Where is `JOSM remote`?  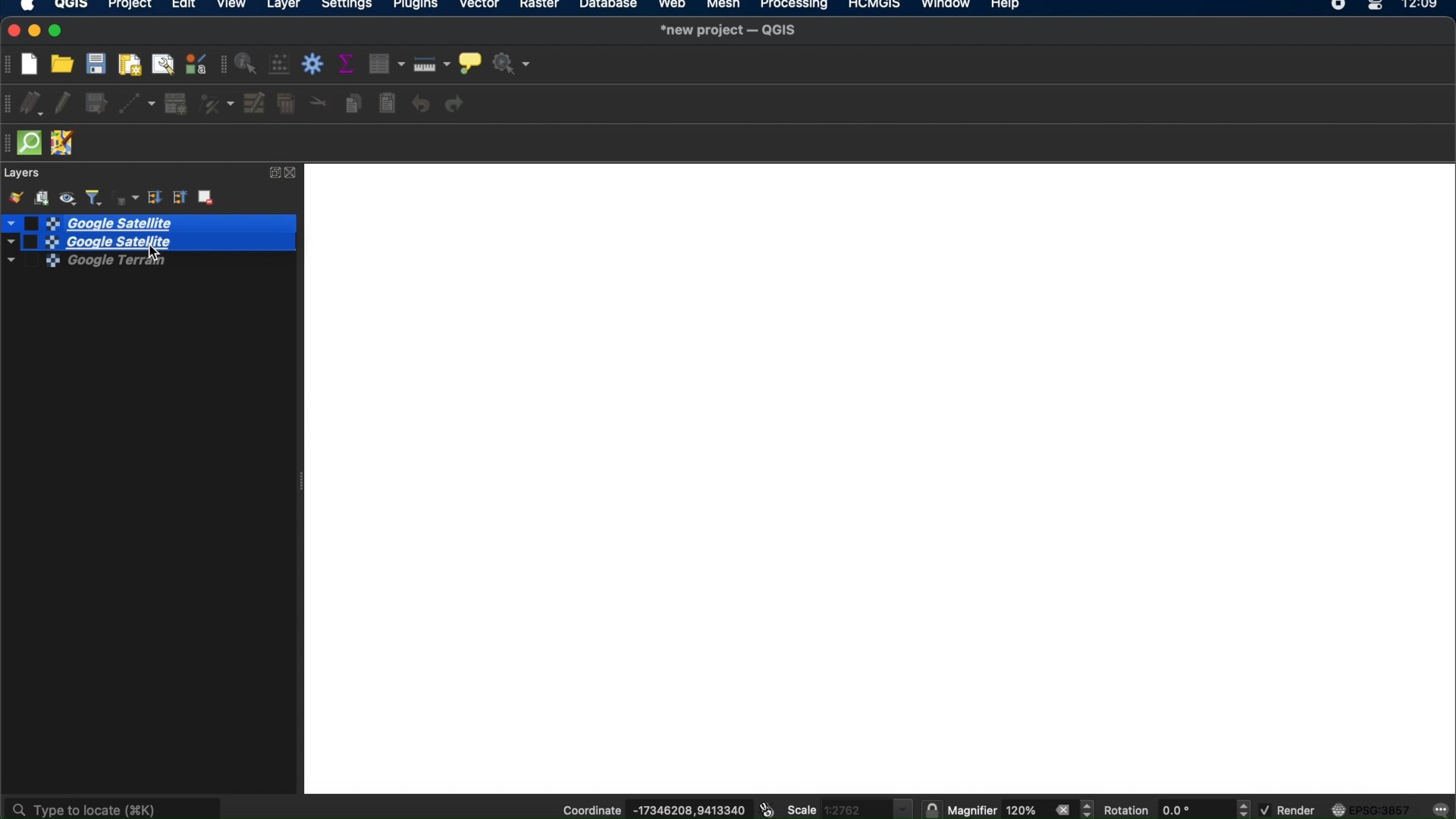
JOSM remote is located at coordinates (64, 144).